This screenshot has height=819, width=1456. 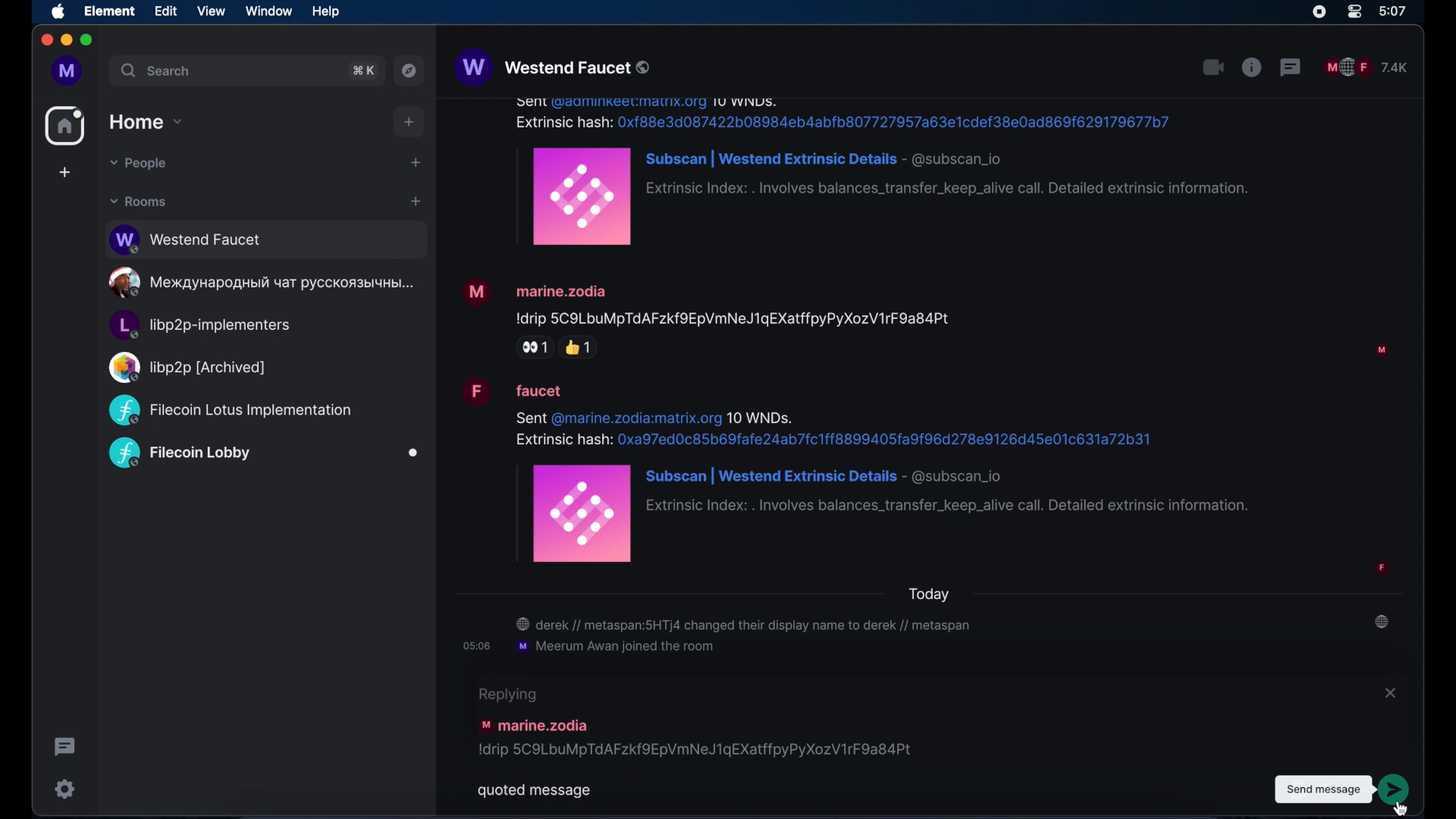 What do you see at coordinates (415, 162) in the screenshot?
I see `start chat` at bounding box center [415, 162].